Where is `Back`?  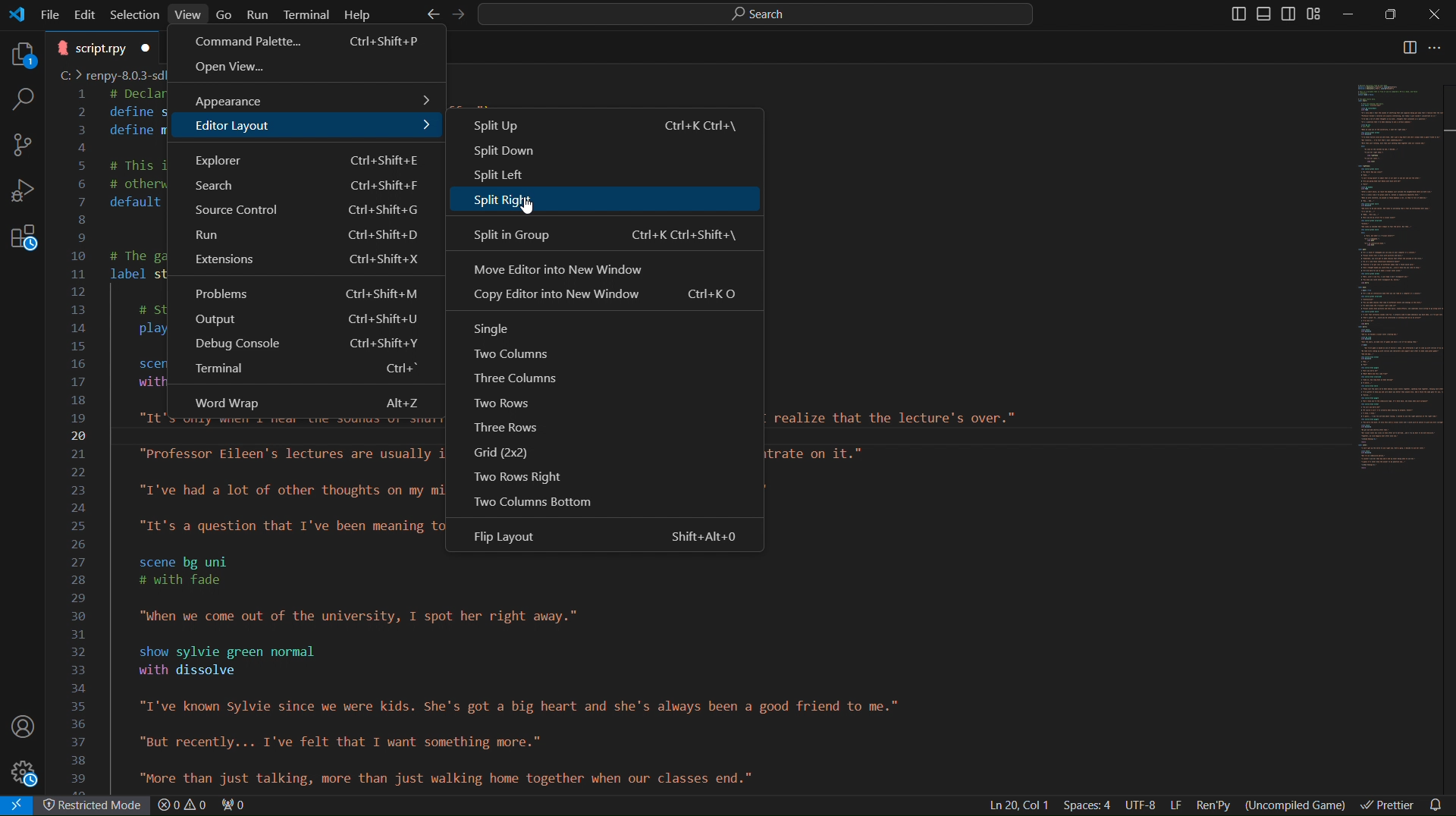 Back is located at coordinates (430, 14).